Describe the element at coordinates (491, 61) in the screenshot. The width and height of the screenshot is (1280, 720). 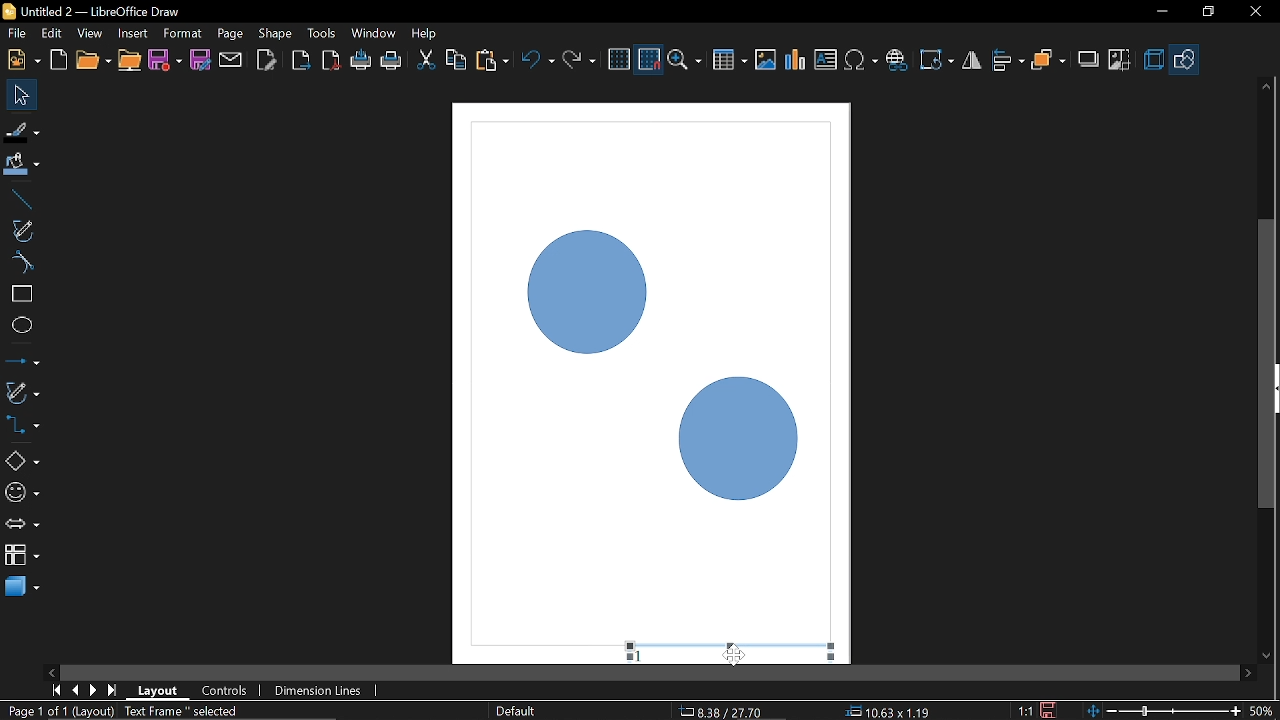
I see `Paste` at that location.